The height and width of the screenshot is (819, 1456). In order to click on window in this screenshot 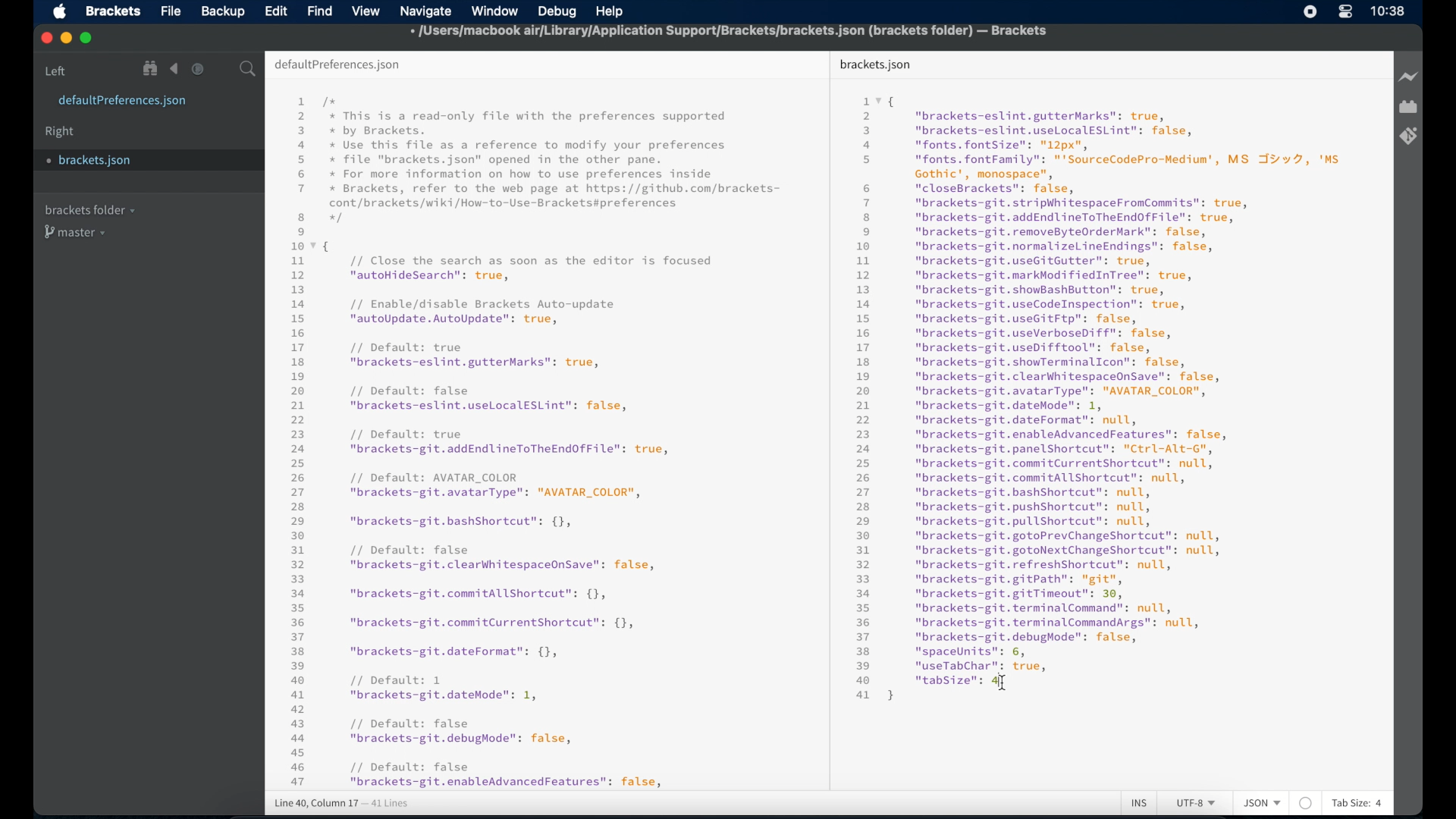, I will do `click(495, 11)`.